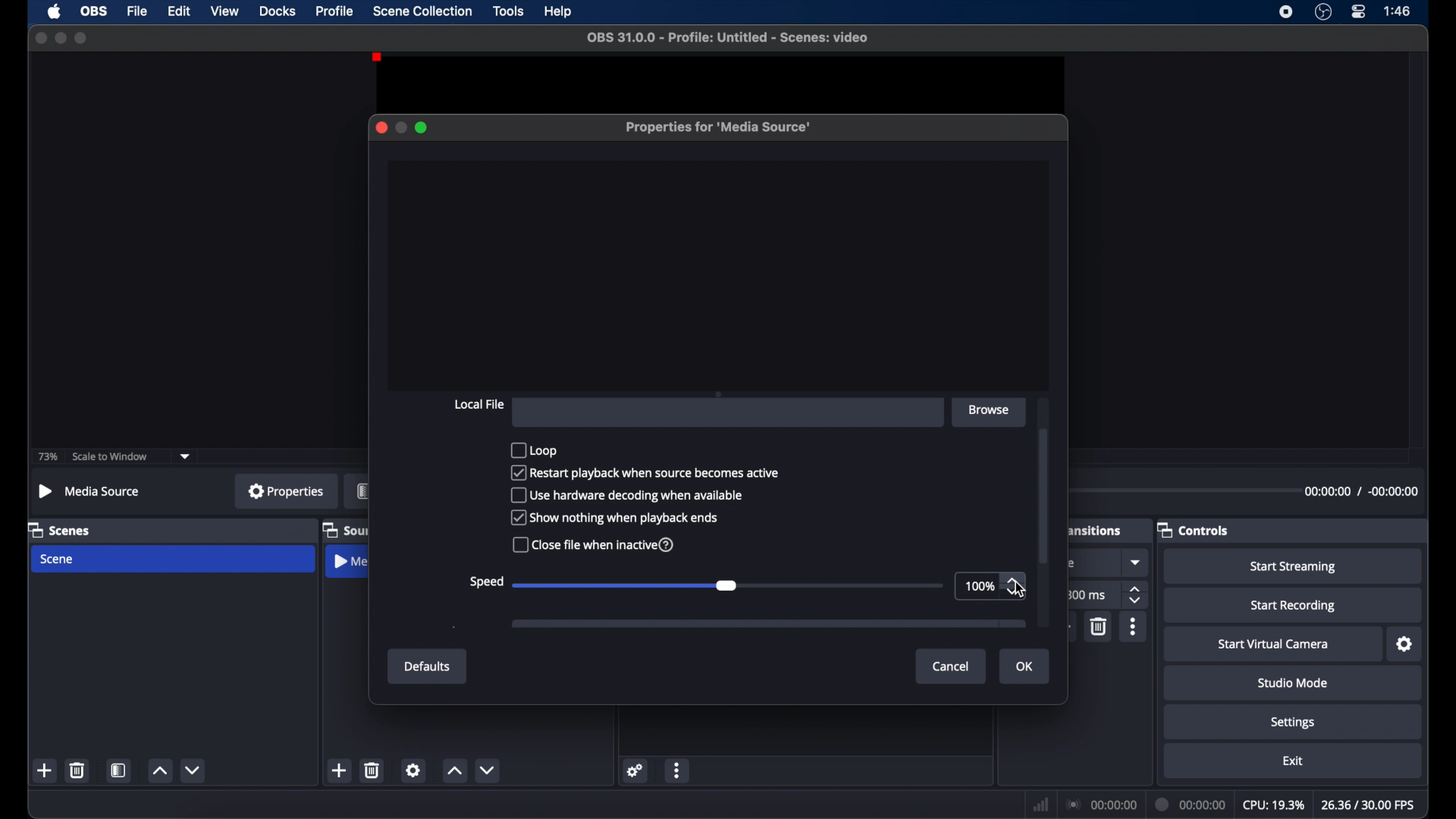 This screenshot has height=819, width=1456. What do you see at coordinates (1020, 589) in the screenshot?
I see `cursor` at bounding box center [1020, 589].